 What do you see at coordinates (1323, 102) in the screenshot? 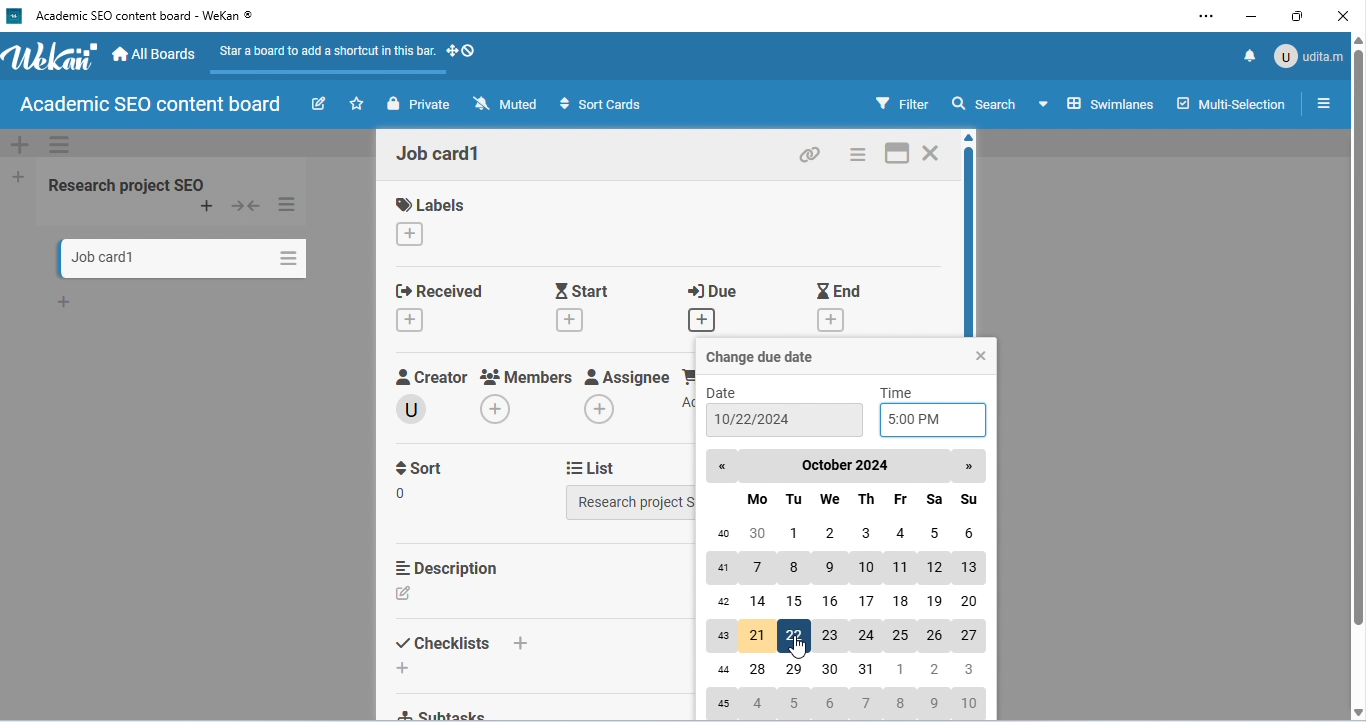
I see `open or close side bar` at bounding box center [1323, 102].